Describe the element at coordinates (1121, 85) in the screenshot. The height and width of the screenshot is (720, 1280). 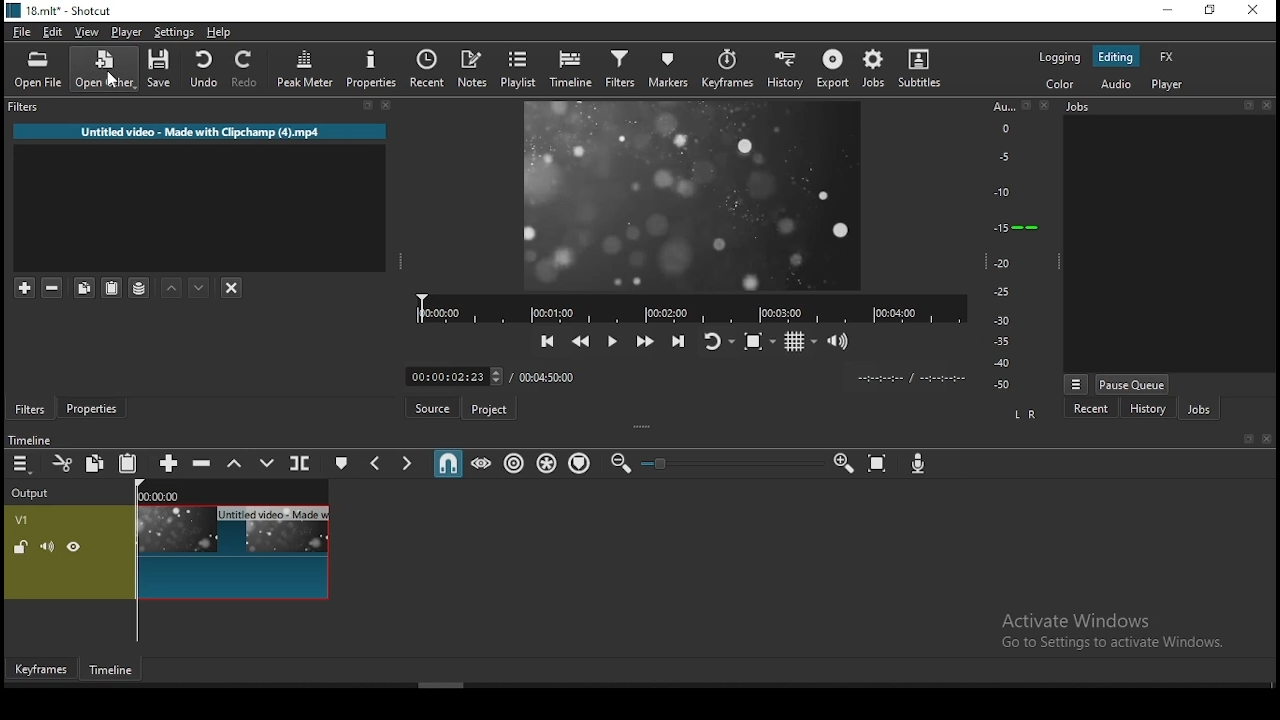
I see `audio` at that location.